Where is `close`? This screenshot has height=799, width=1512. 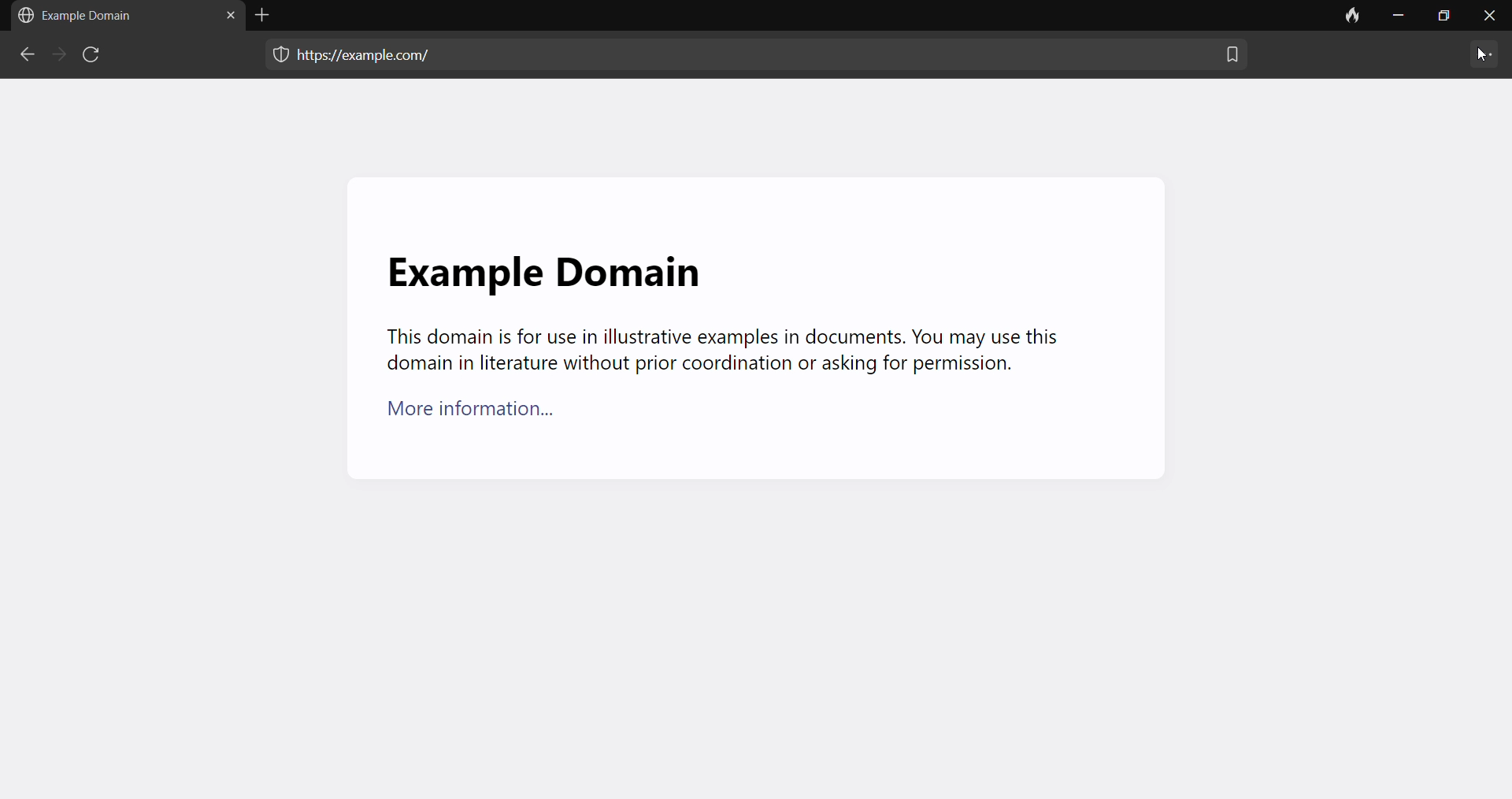
close is located at coordinates (1489, 20).